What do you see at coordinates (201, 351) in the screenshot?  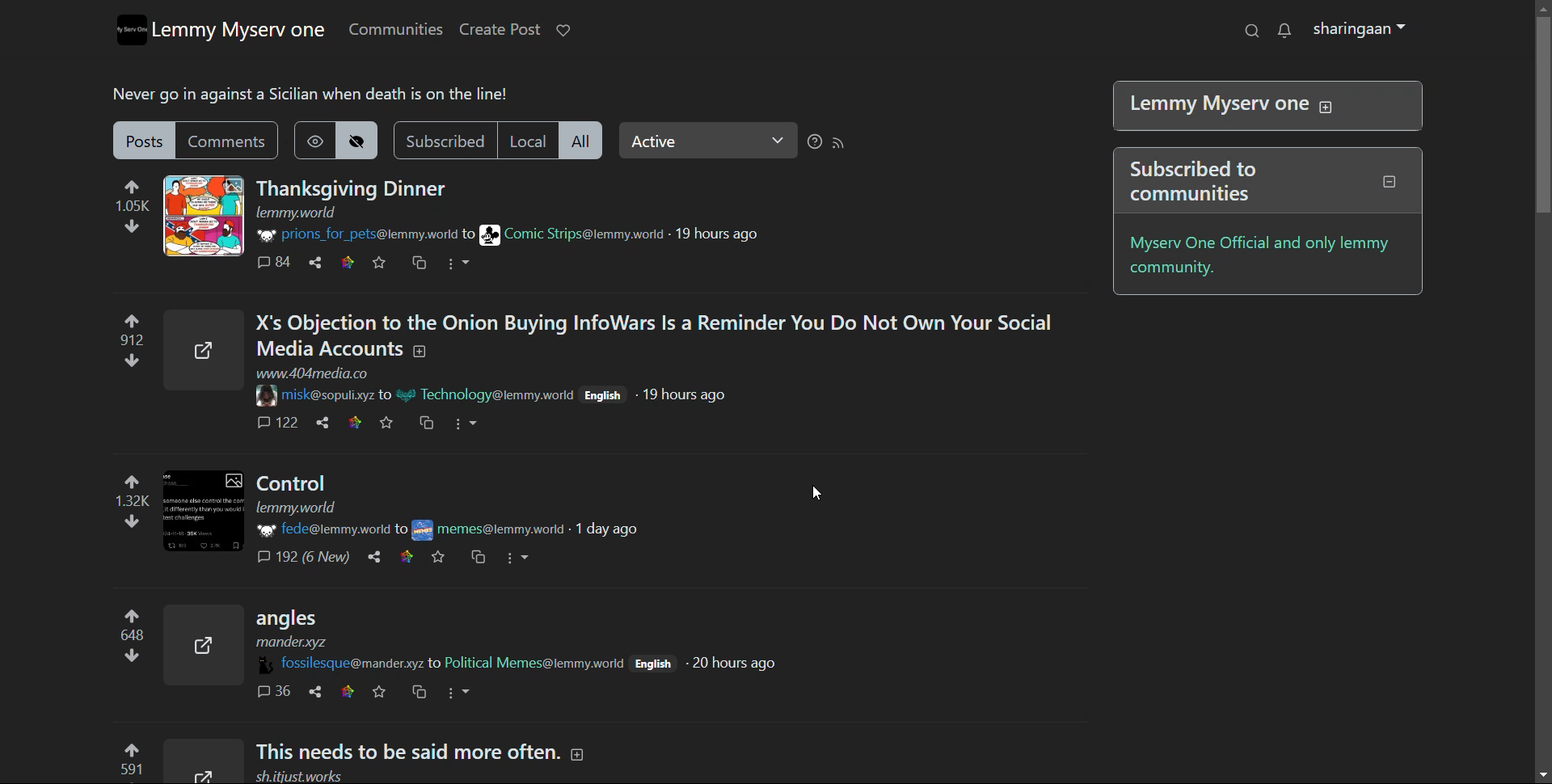 I see `Expand here with the image` at bounding box center [201, 351].